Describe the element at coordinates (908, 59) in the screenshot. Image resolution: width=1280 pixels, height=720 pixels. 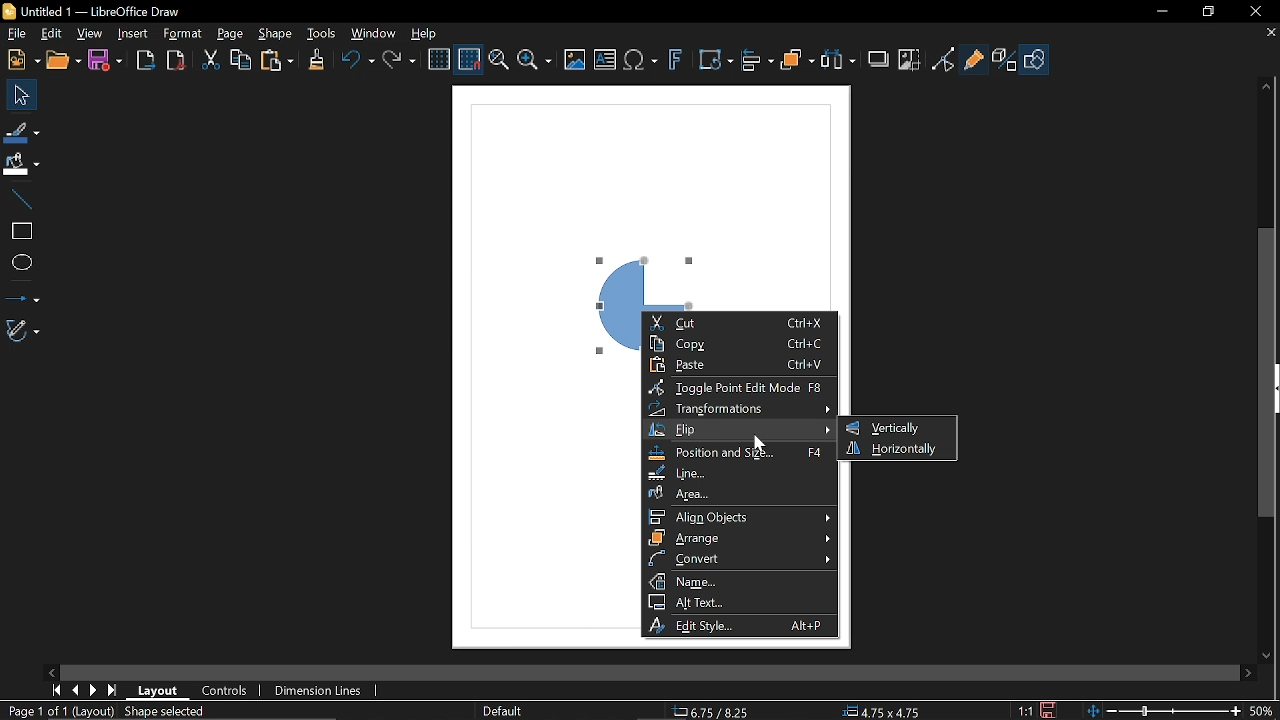
I see `Crop` at that location.